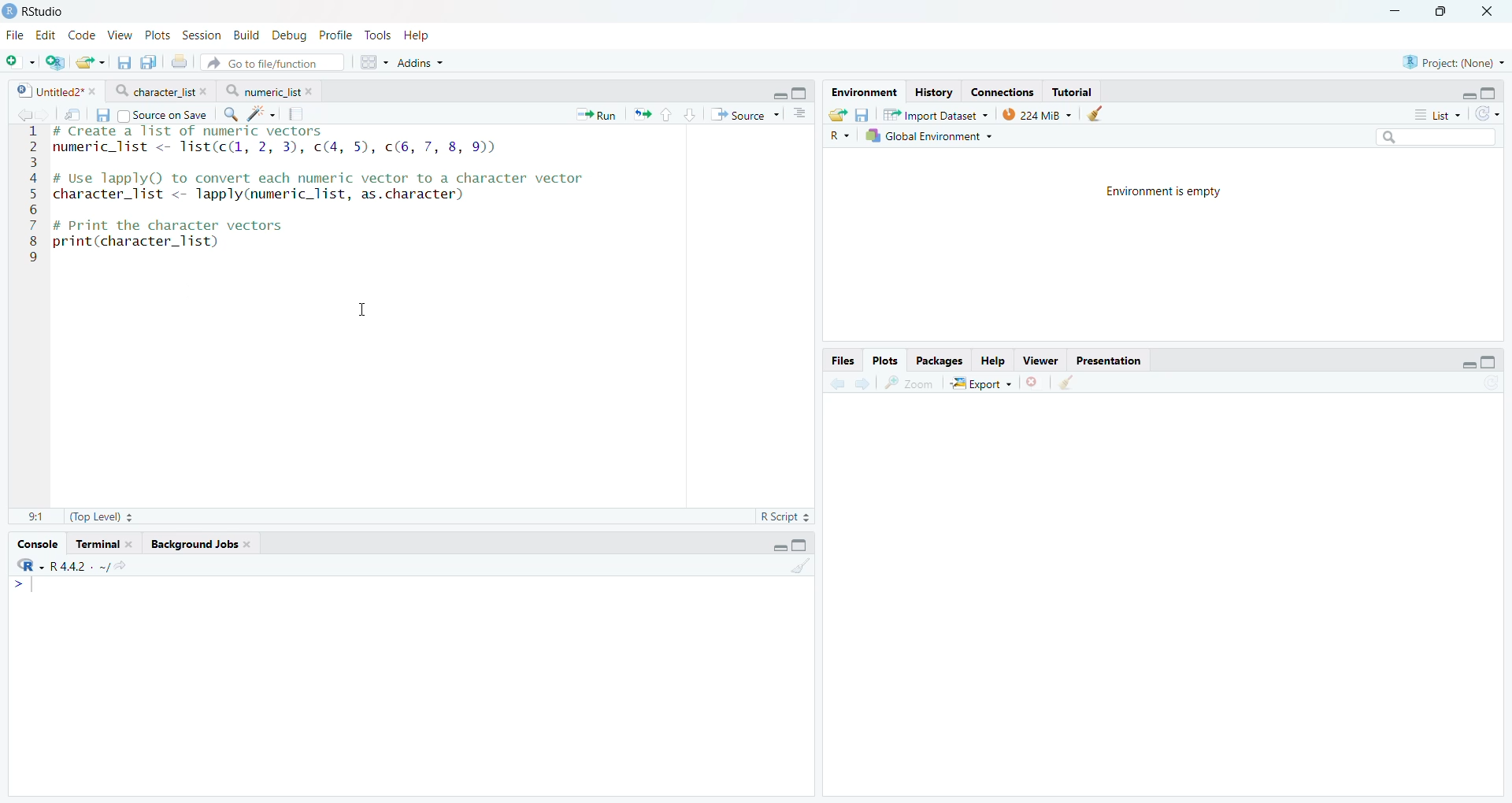  I want to click on Clear, so click(1100, 114).